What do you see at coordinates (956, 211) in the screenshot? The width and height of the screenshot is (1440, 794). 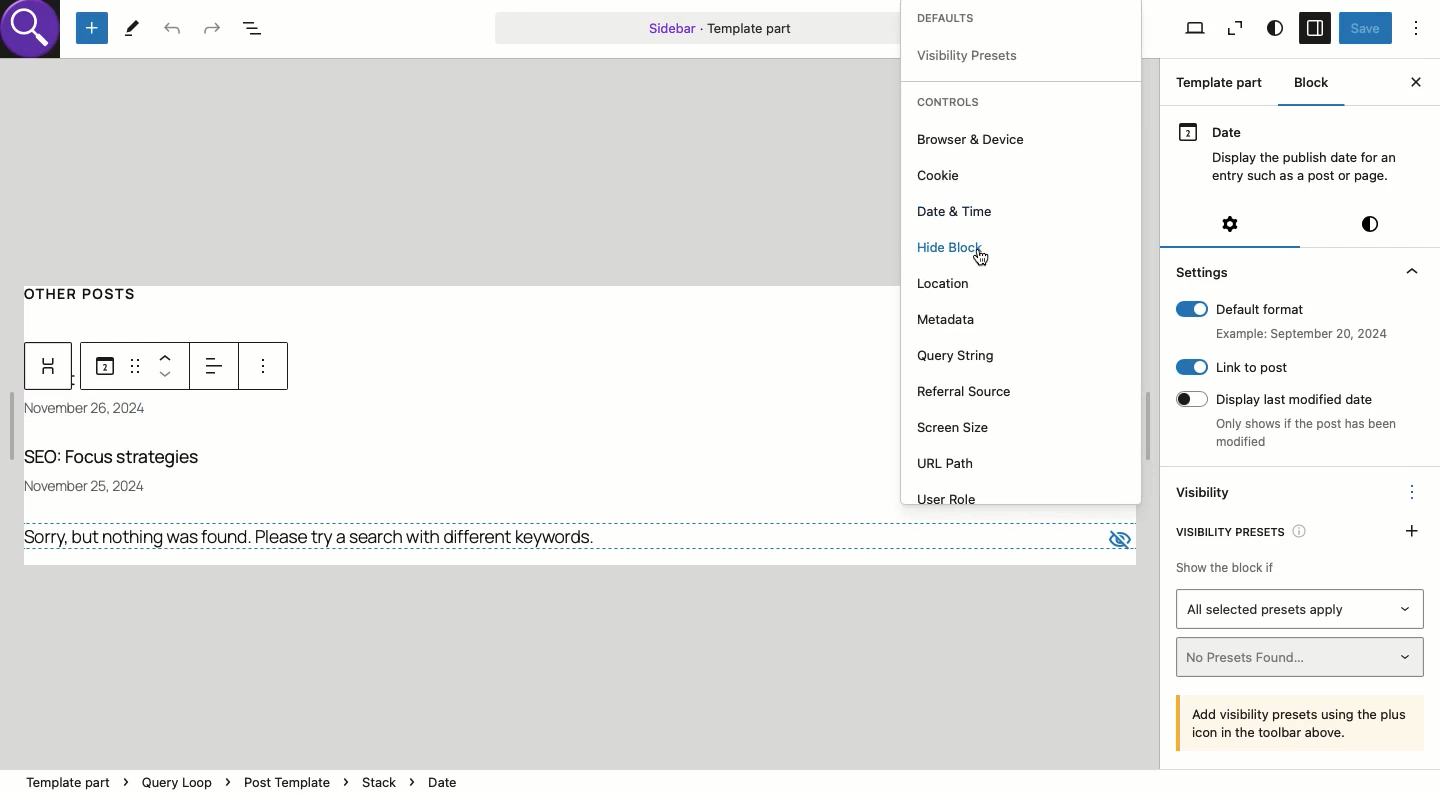 I see `Date and time` at bounding box center [956, 211].